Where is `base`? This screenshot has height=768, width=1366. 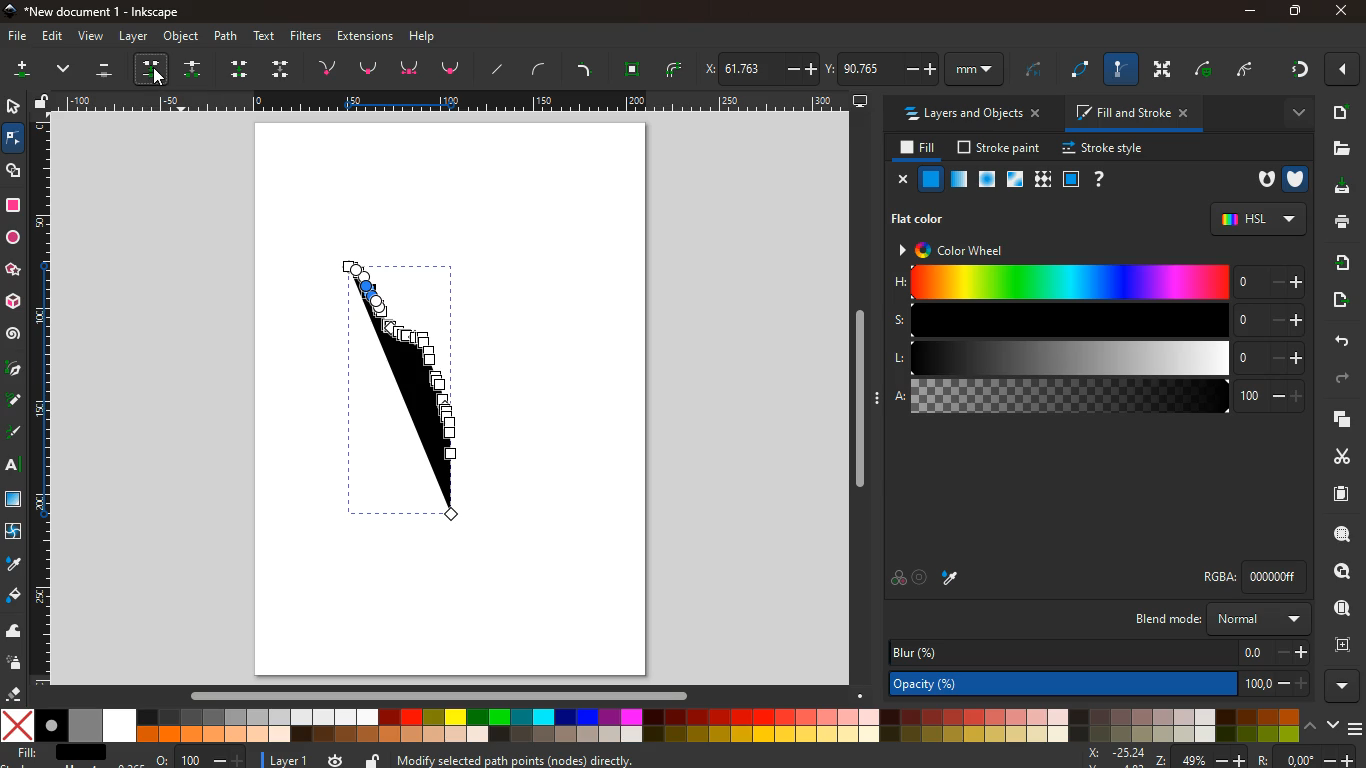 base is located at coordinates (412, 69).